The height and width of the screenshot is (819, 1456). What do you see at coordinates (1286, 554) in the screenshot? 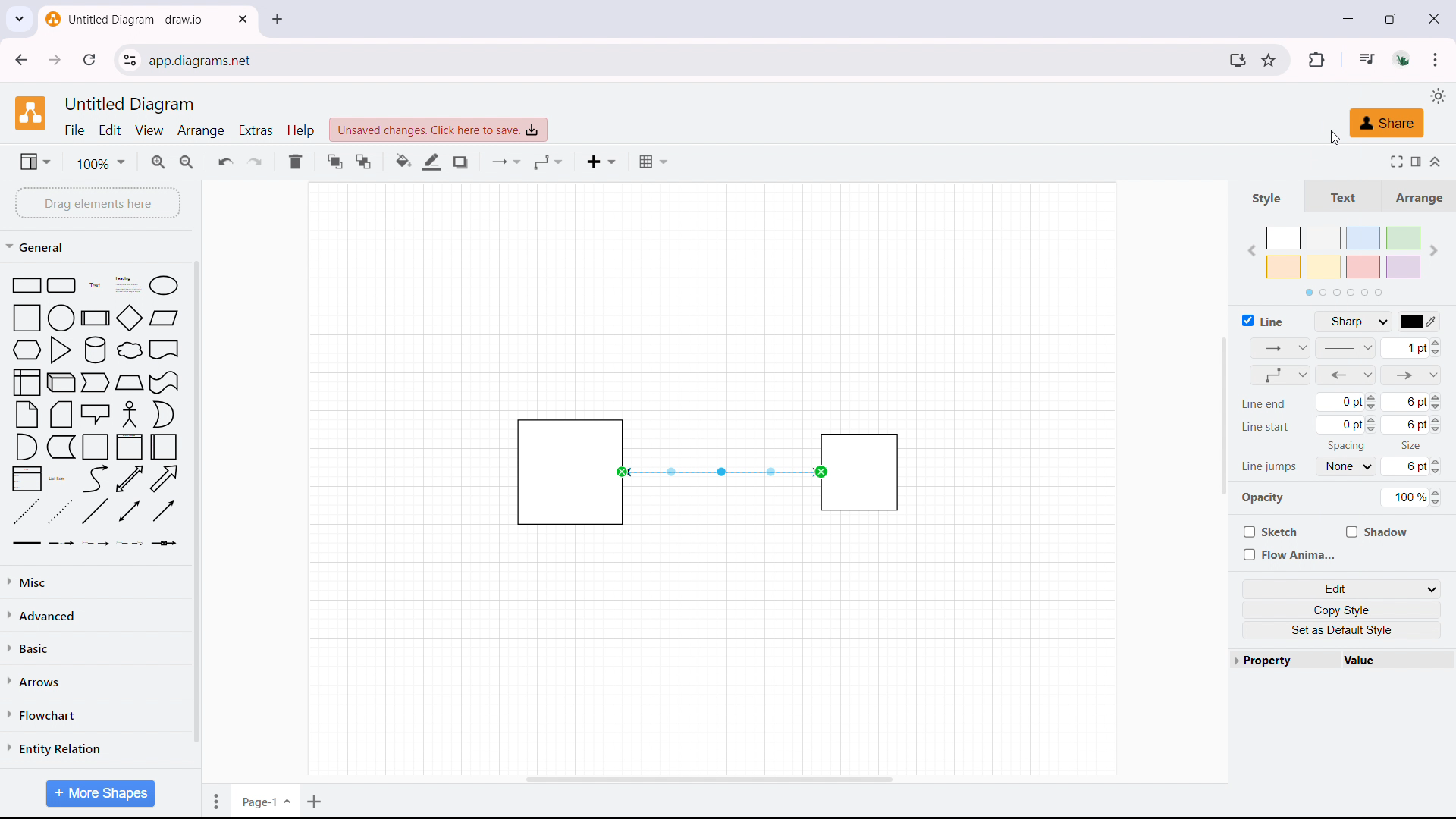
I see `flow anima` at bounding box center [1286, 554].